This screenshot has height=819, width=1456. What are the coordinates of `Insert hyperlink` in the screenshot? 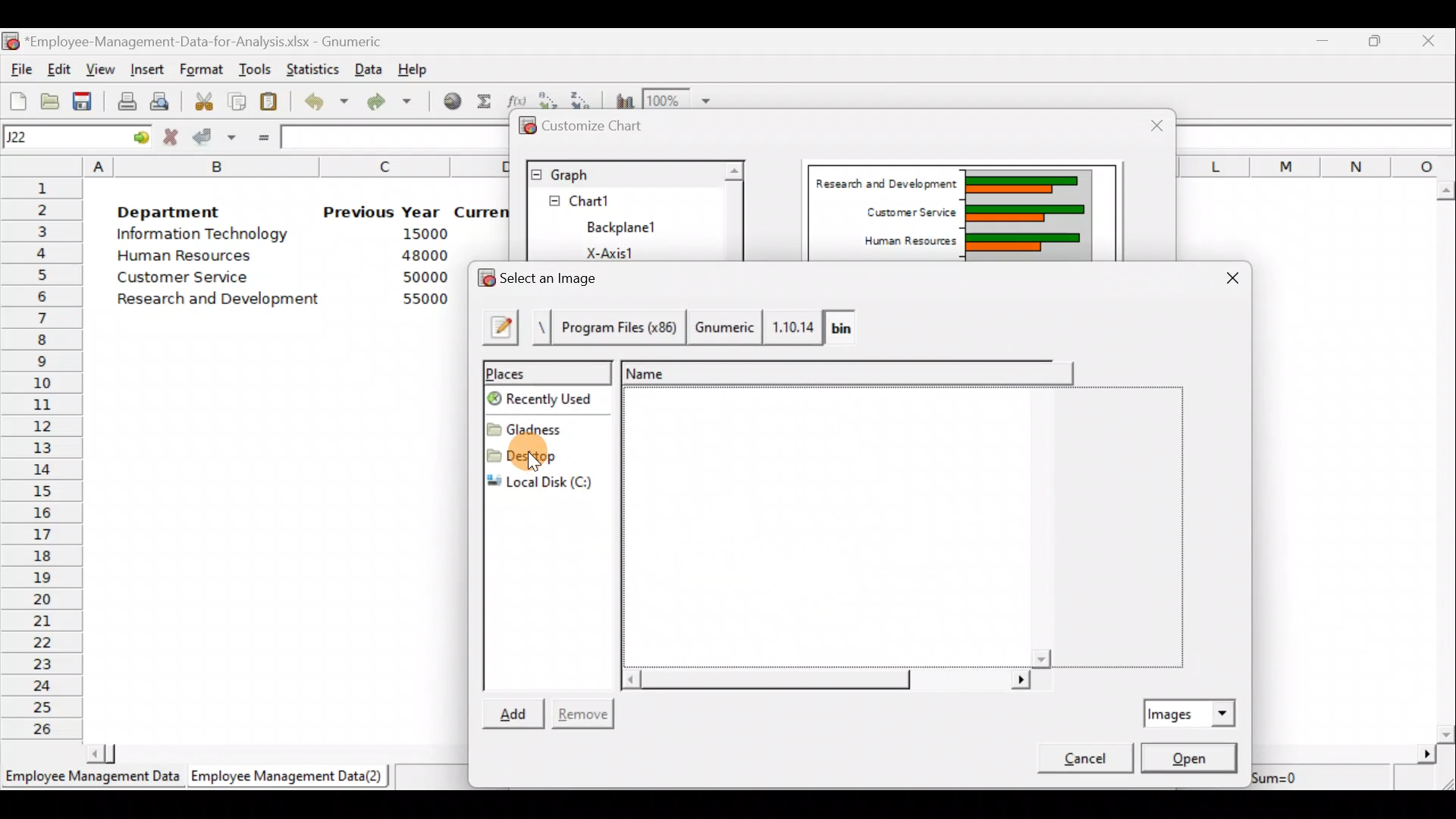 It's located at (450, 104).